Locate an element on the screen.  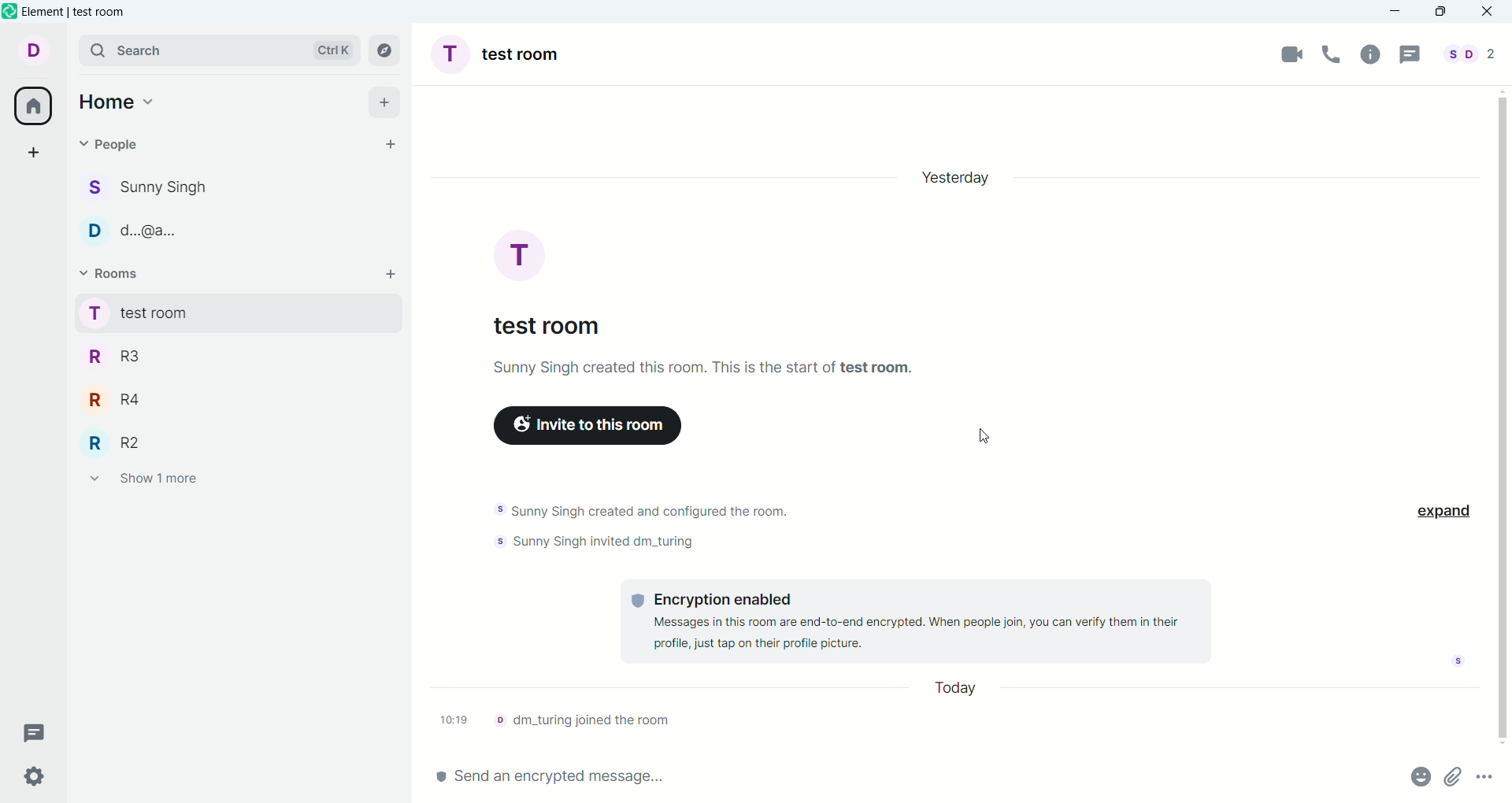
attachment is located at coordinates (1453, 776).